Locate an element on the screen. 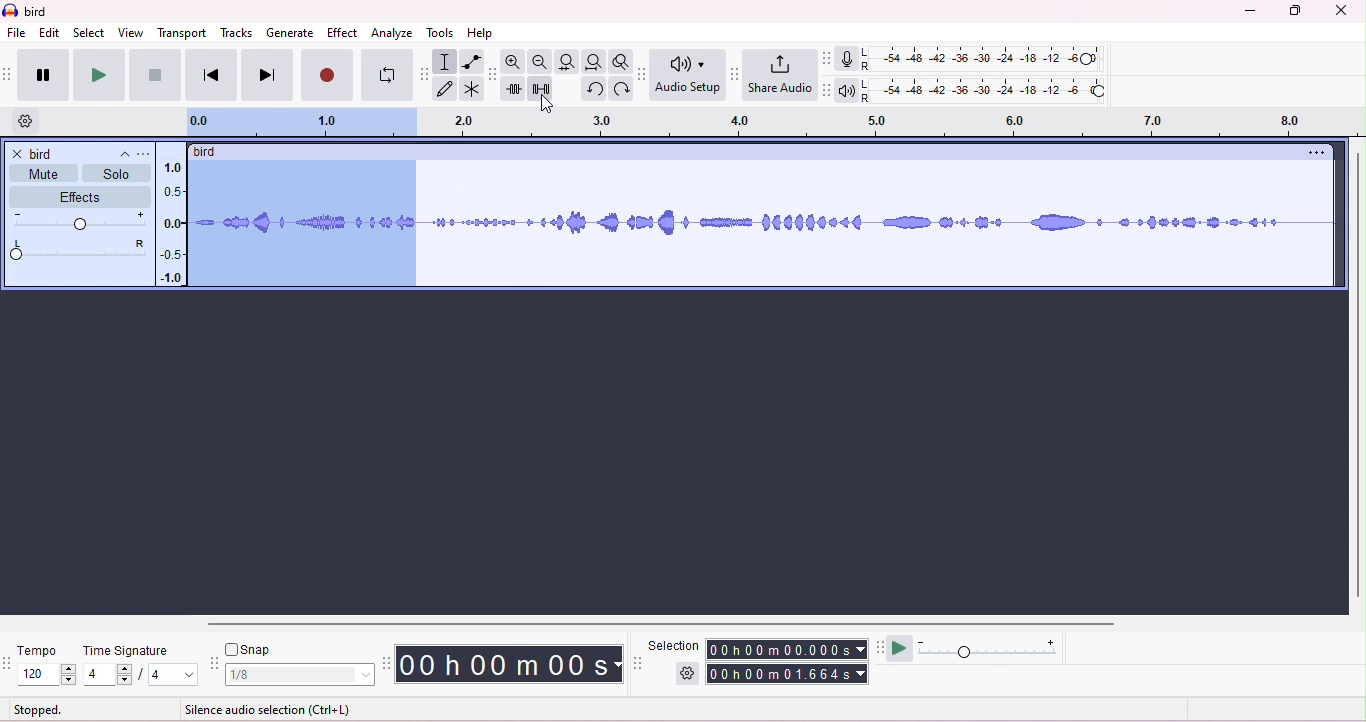  playback meter is located at coordinates (854, 88).